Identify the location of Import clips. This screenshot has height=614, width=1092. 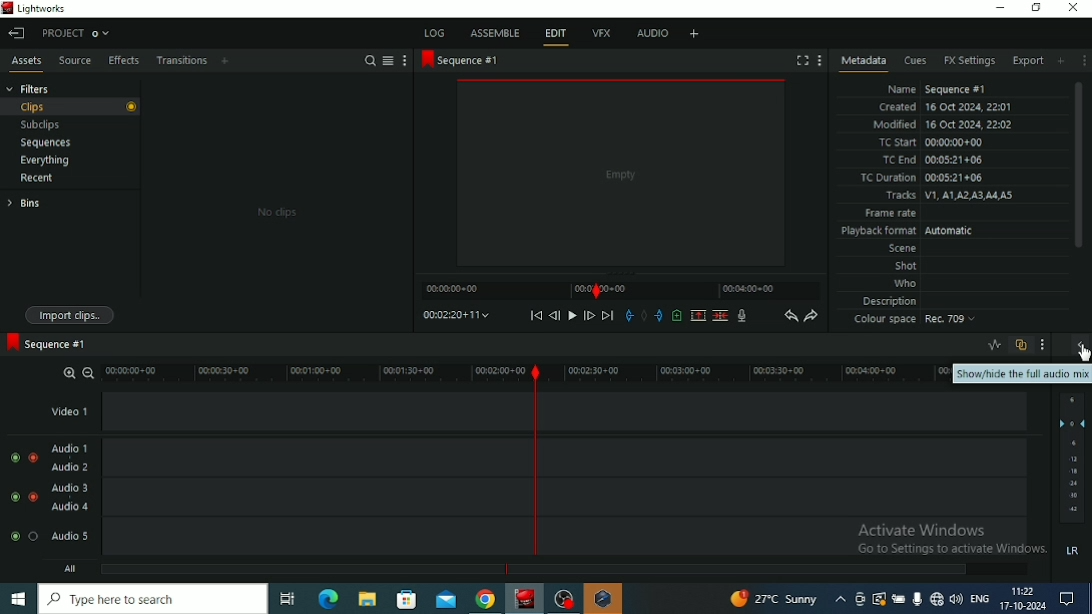
(71, 316).